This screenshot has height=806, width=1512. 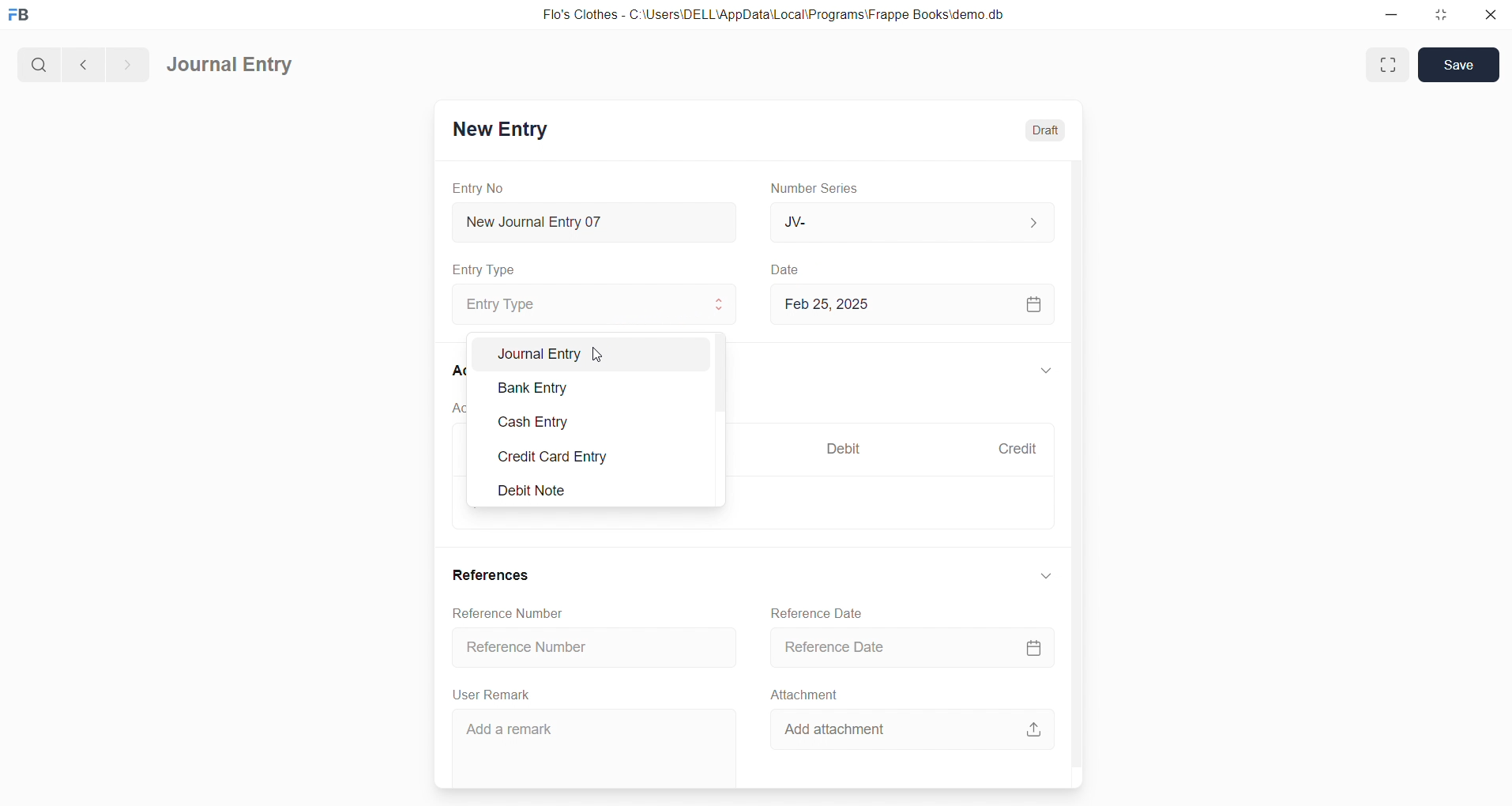 What do you see at coordinates (1459, 65) in the screenshot?
I see `Save` at bounding box center [1459, 65].